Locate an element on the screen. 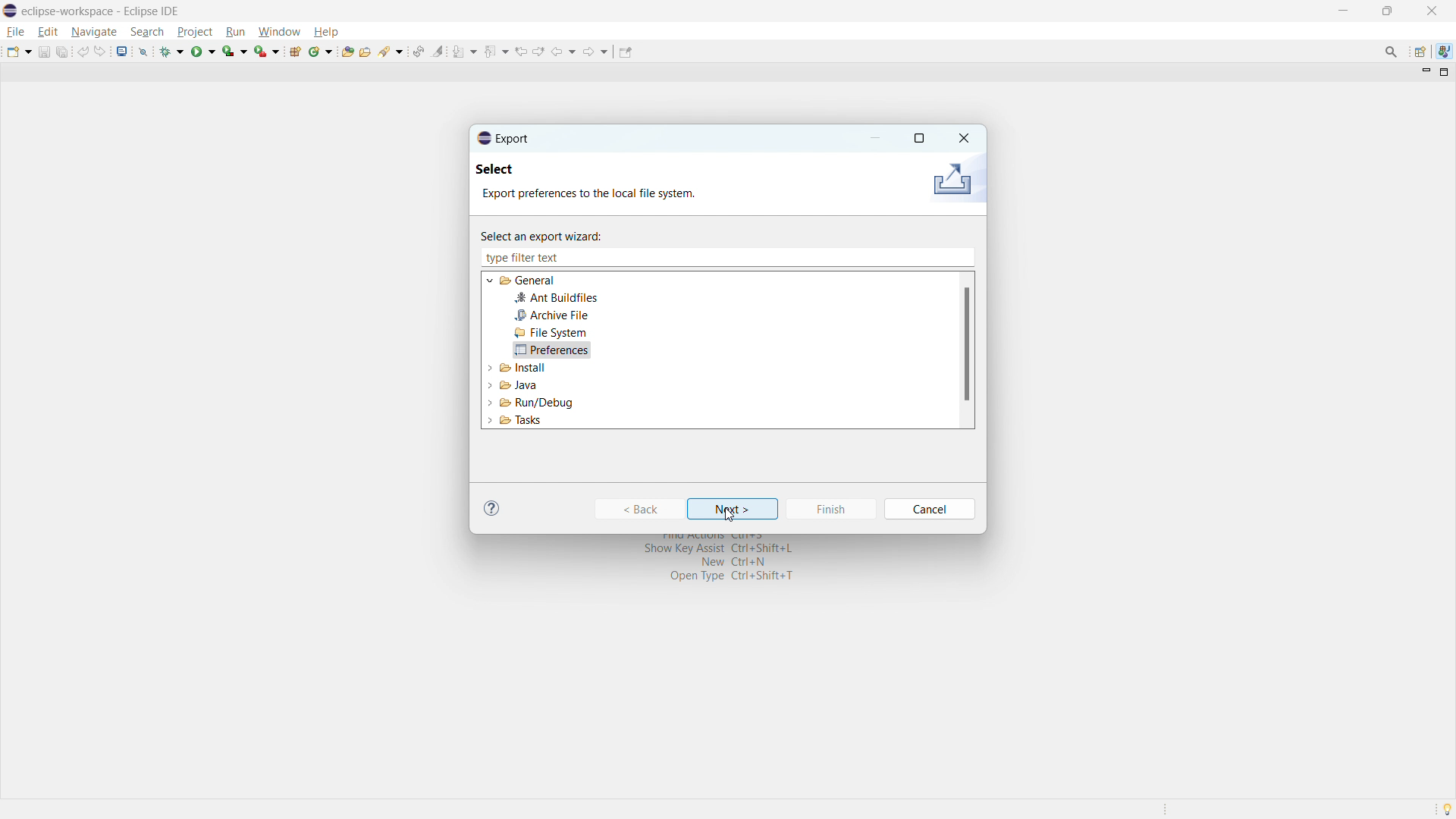 This screenshot has height=819, width=1456. logo is located at coordinates (10, 11).